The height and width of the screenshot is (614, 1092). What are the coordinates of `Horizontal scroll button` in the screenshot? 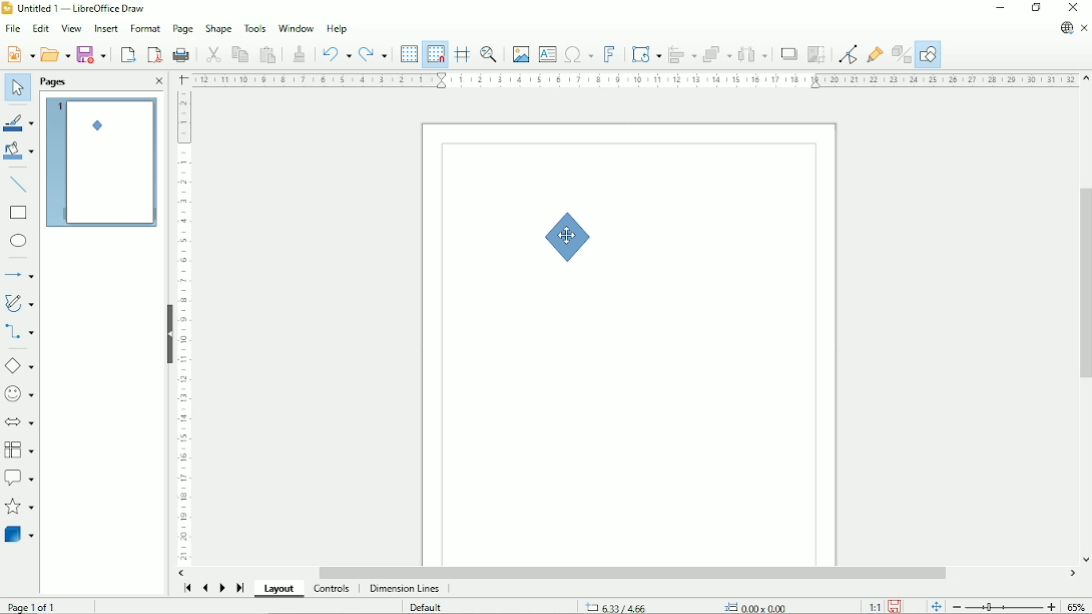 It's located at (182, 572).